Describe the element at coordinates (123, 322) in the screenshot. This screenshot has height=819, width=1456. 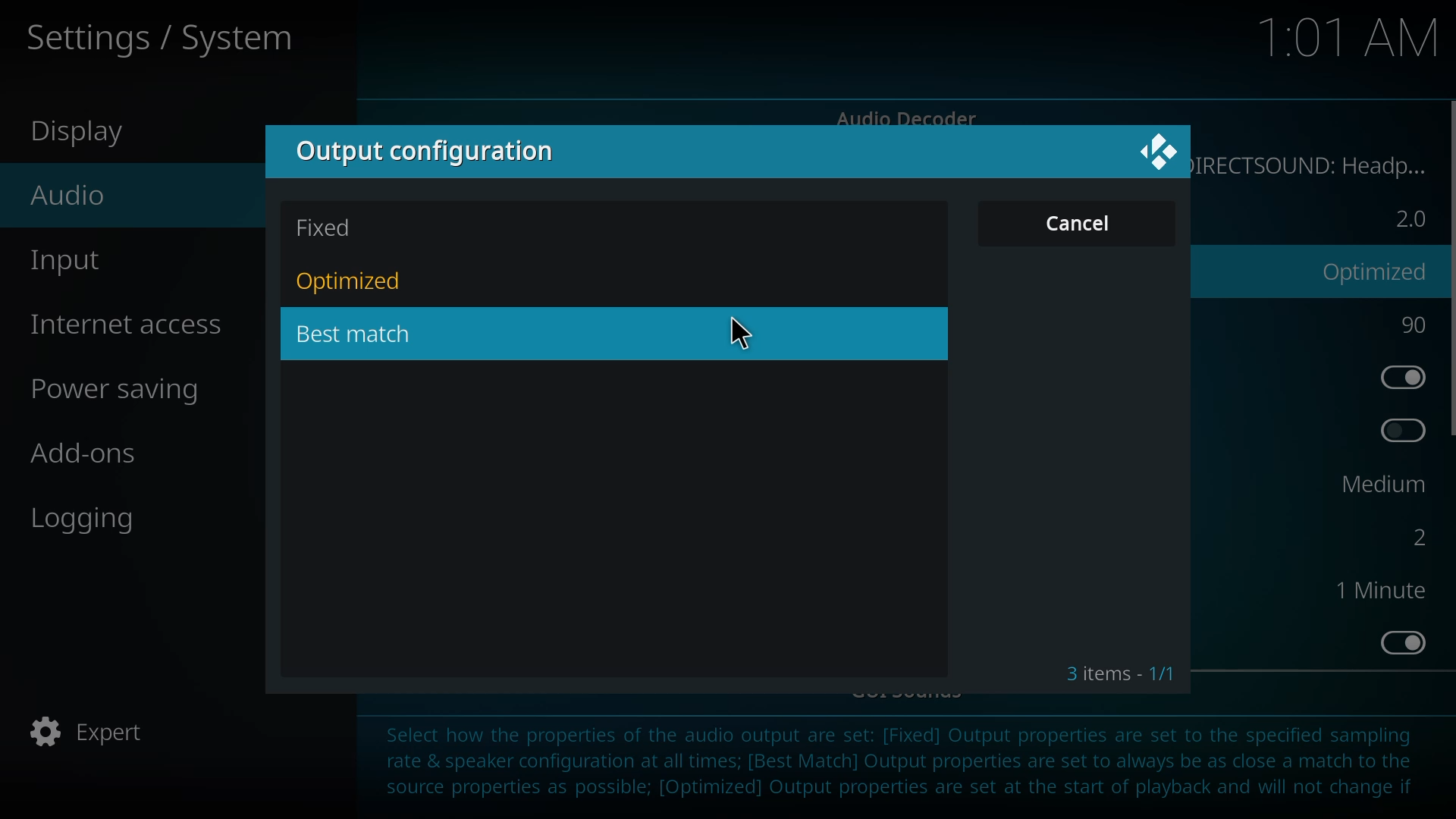
I see `internet access` at that location.